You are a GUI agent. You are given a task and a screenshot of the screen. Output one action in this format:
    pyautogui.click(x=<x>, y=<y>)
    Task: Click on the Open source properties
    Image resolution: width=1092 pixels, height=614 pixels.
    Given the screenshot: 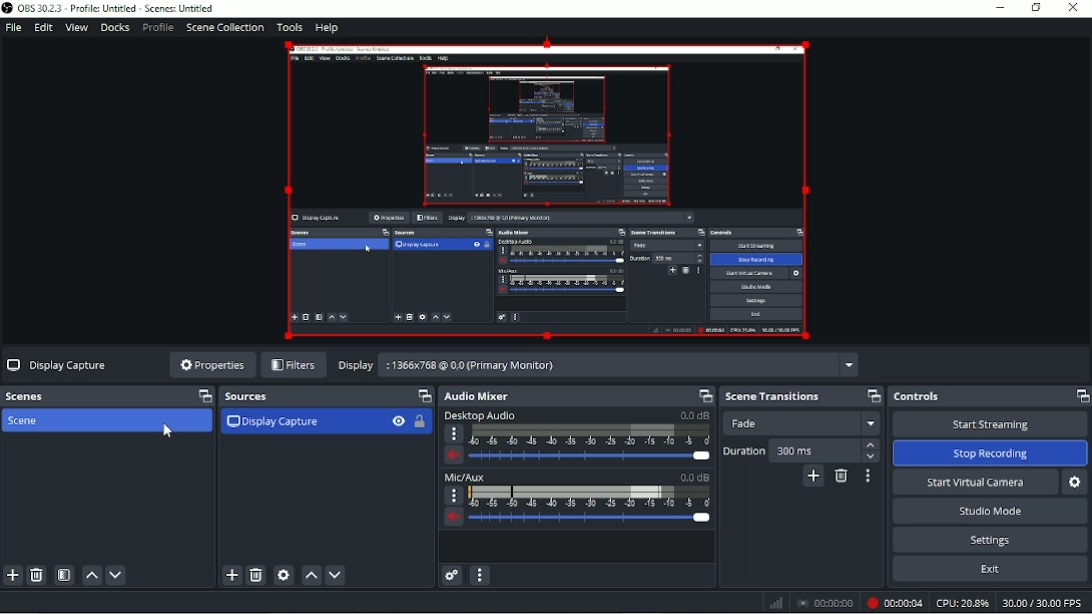 What is the action you would take?
    pyautogui.click(x=284, y=575)
    